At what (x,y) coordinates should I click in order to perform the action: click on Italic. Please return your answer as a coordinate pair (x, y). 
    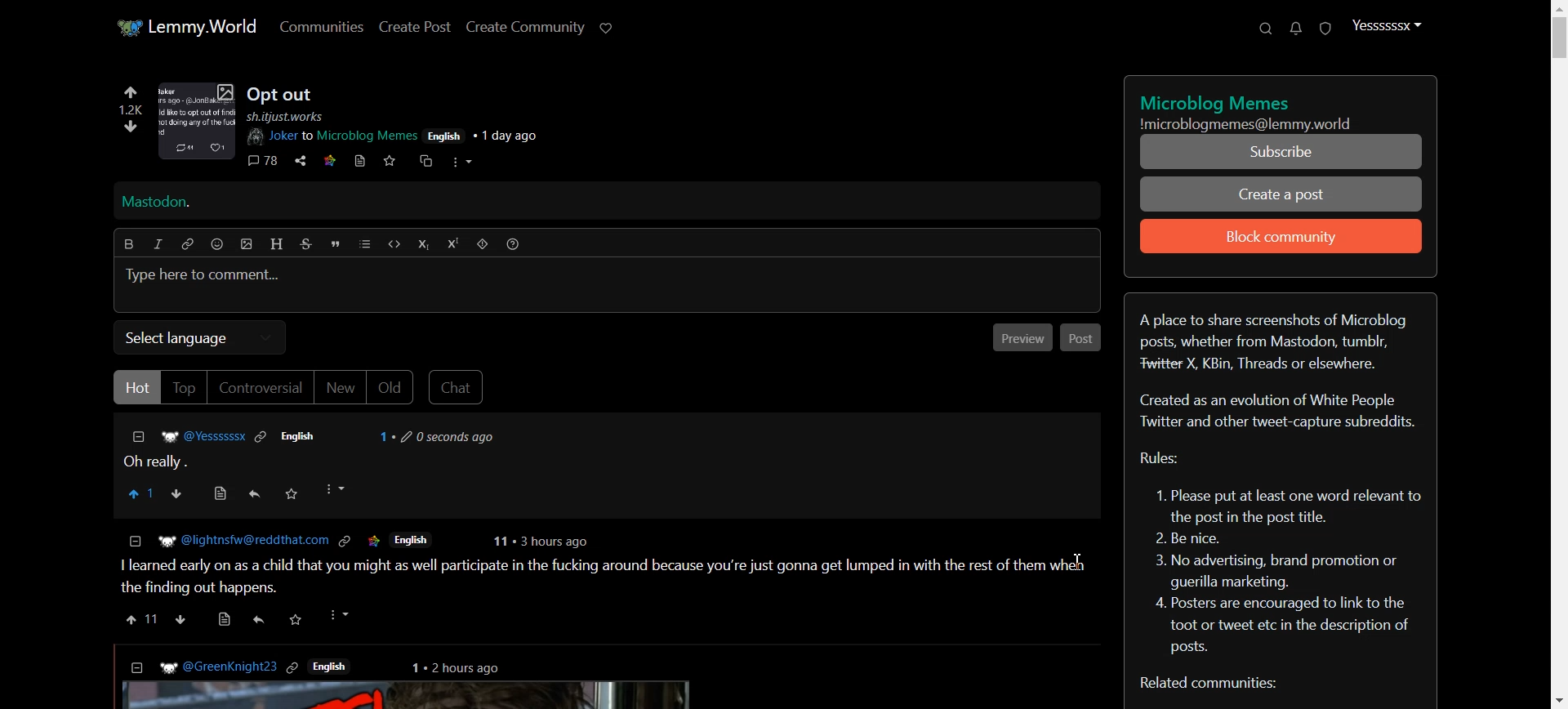
    Looking at the image, I should click on (157, 243).